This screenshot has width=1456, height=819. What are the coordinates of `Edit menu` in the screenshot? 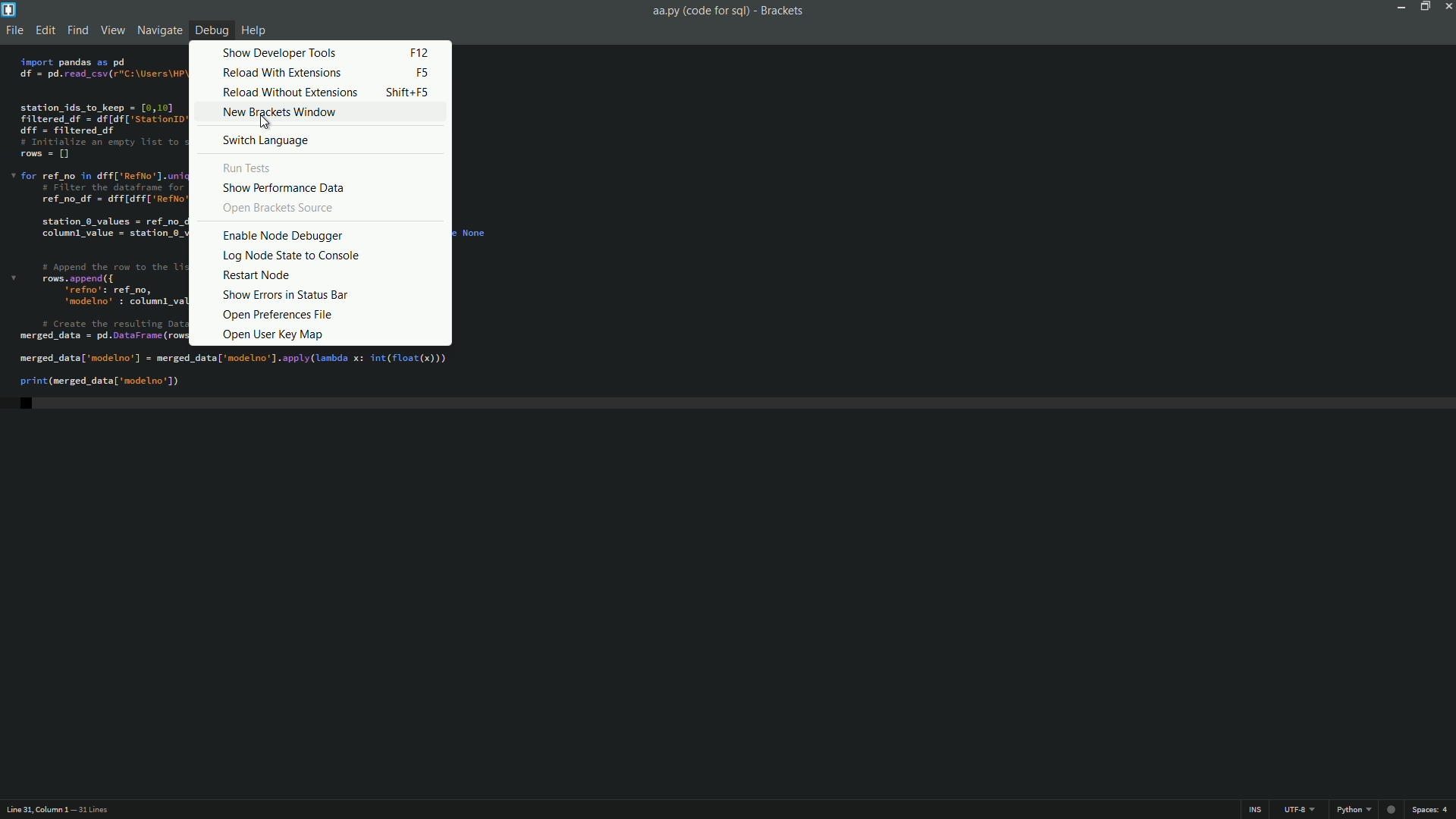 It's located at (44, 30).